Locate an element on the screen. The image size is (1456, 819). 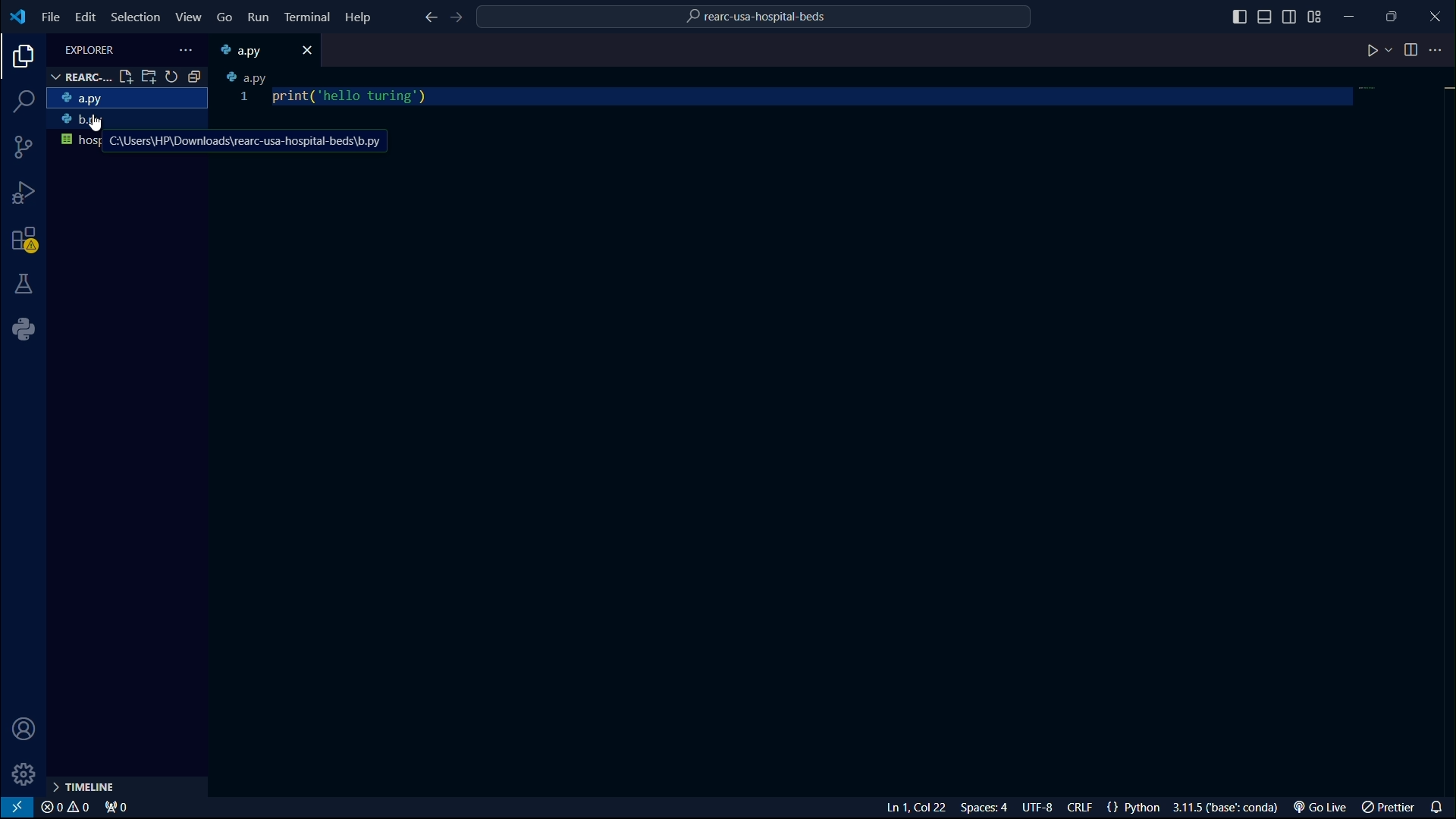
 rearc-usa-hospital-beds is located at coordinates (764, 15).